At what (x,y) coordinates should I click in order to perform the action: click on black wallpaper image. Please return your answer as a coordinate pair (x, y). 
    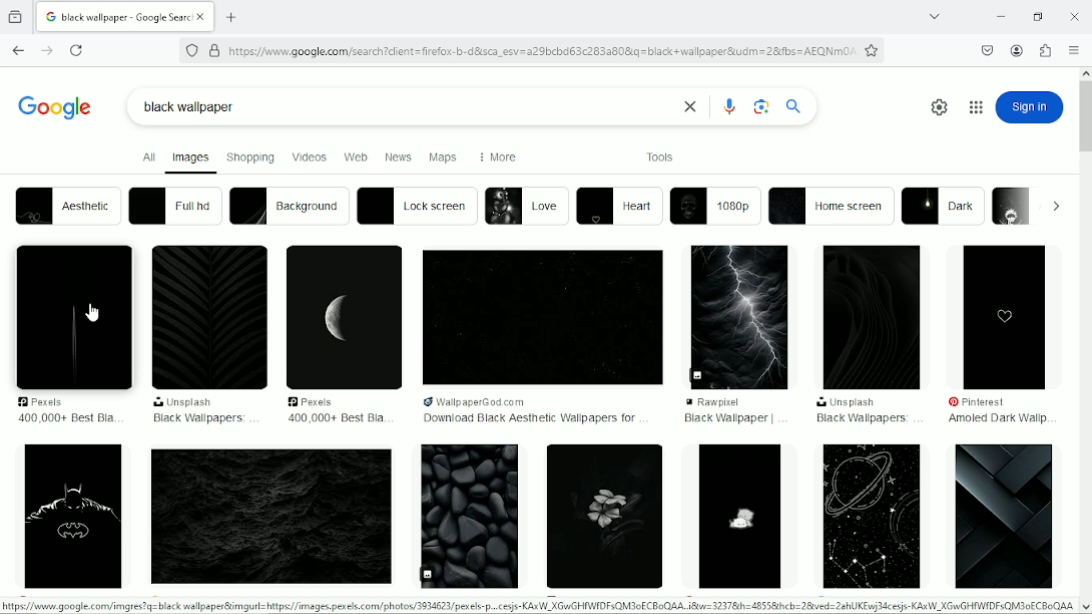
    Looking at the image, I should click on (868, 515).